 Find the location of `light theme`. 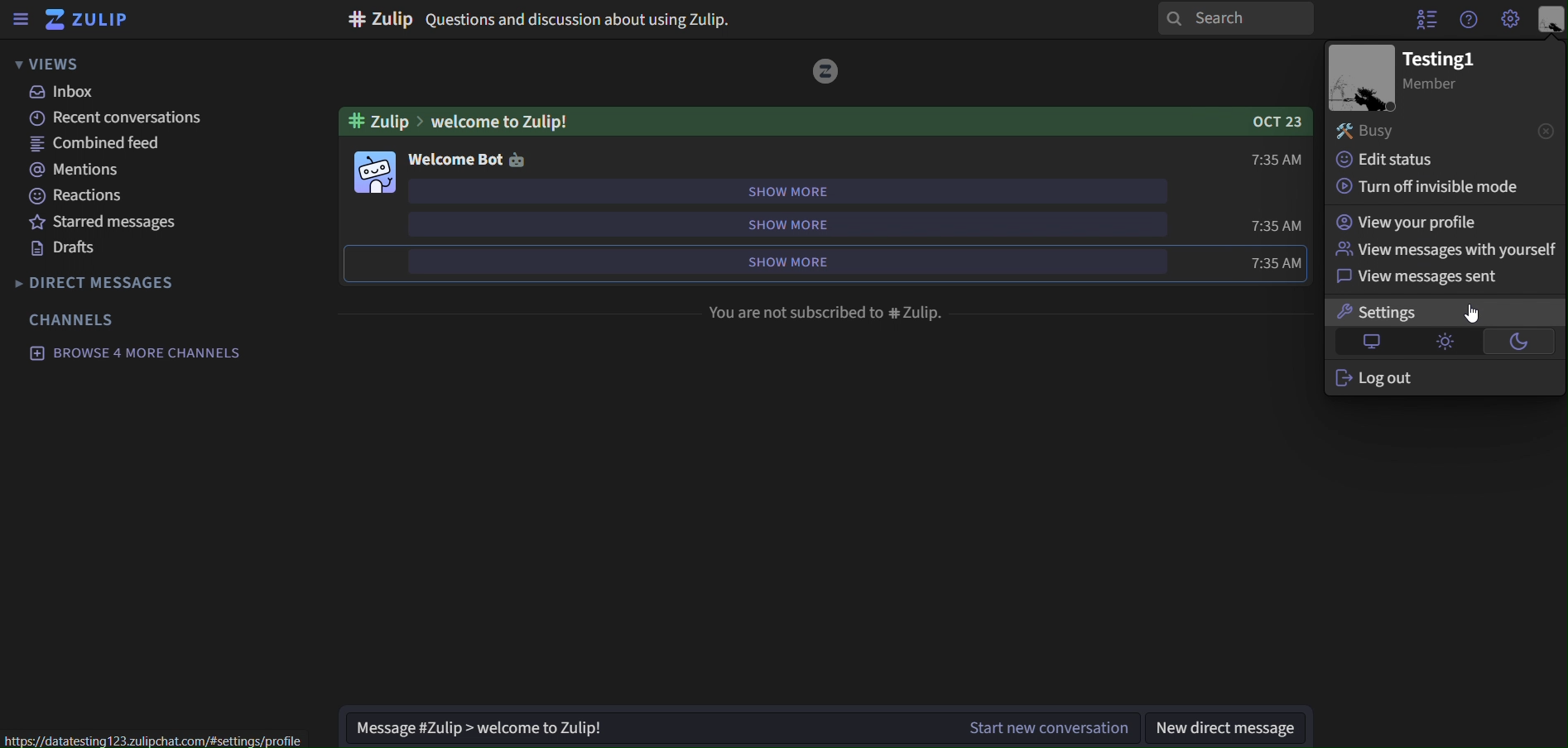

light theme is located at coordinates (1446, 342).